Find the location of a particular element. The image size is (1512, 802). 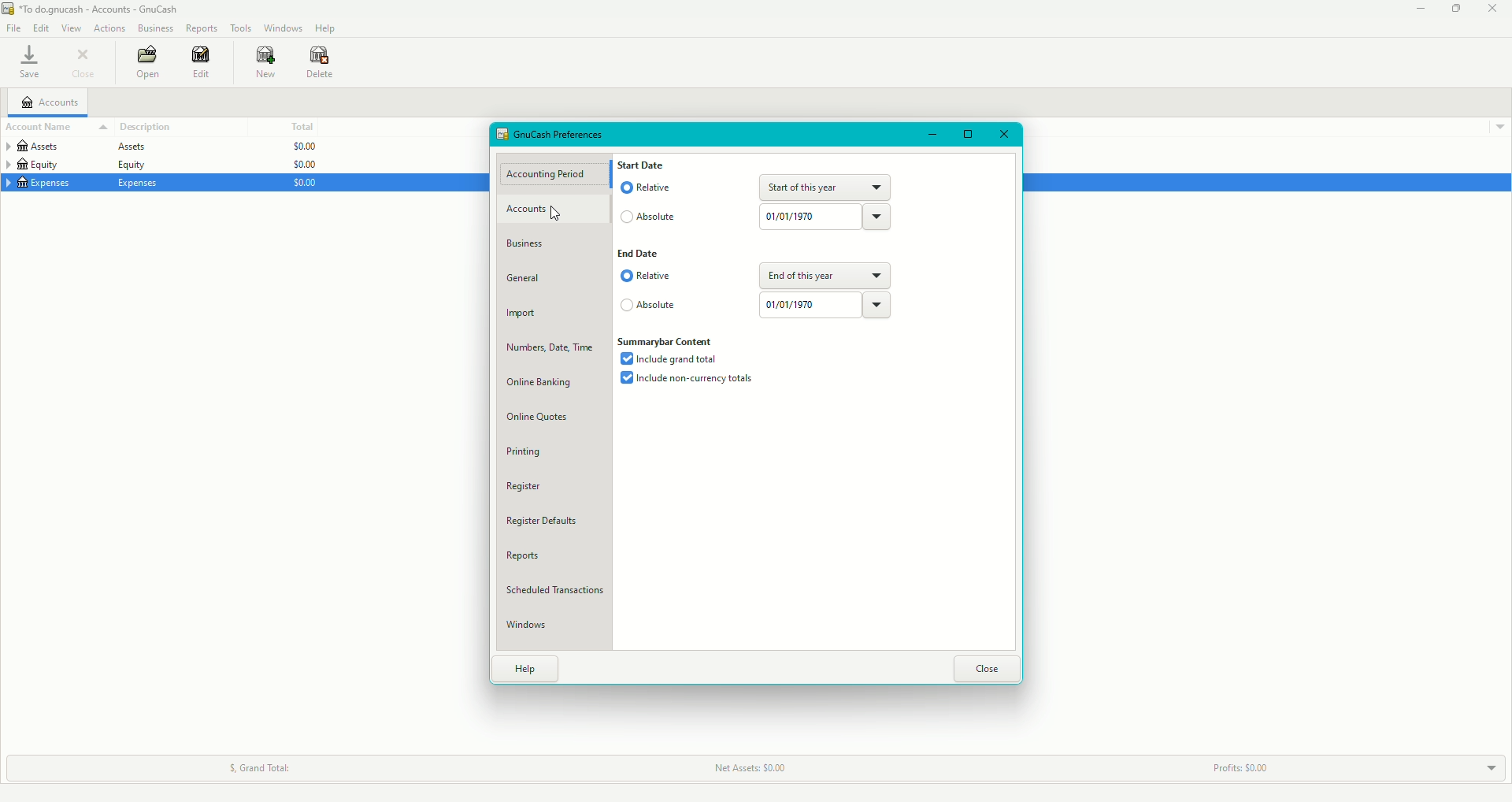

Online Quotes is located at coordinates (538, 419).